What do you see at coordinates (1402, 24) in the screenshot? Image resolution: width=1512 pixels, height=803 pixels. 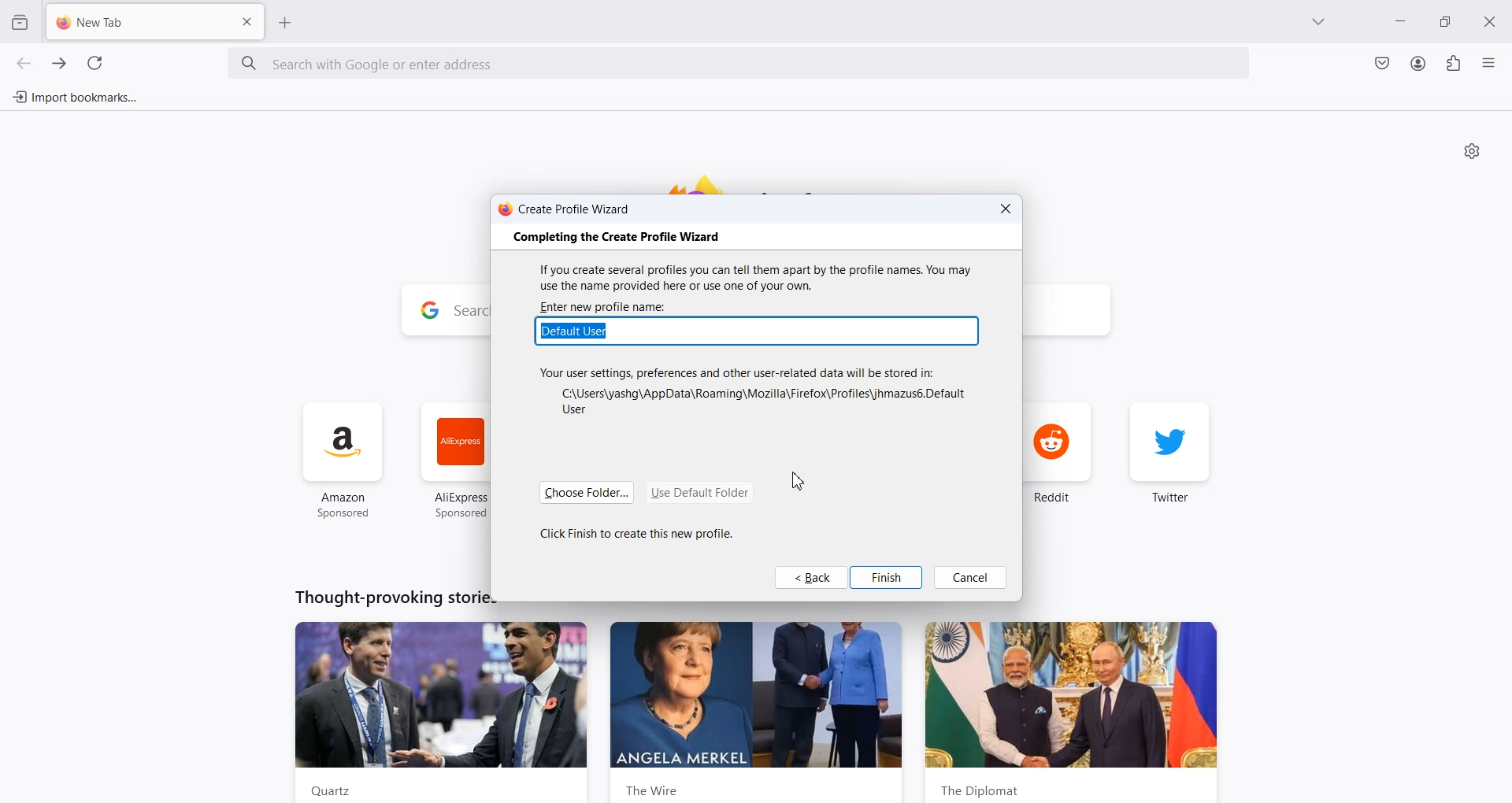 I see `Minimize` at bounding box center [1402, 24].